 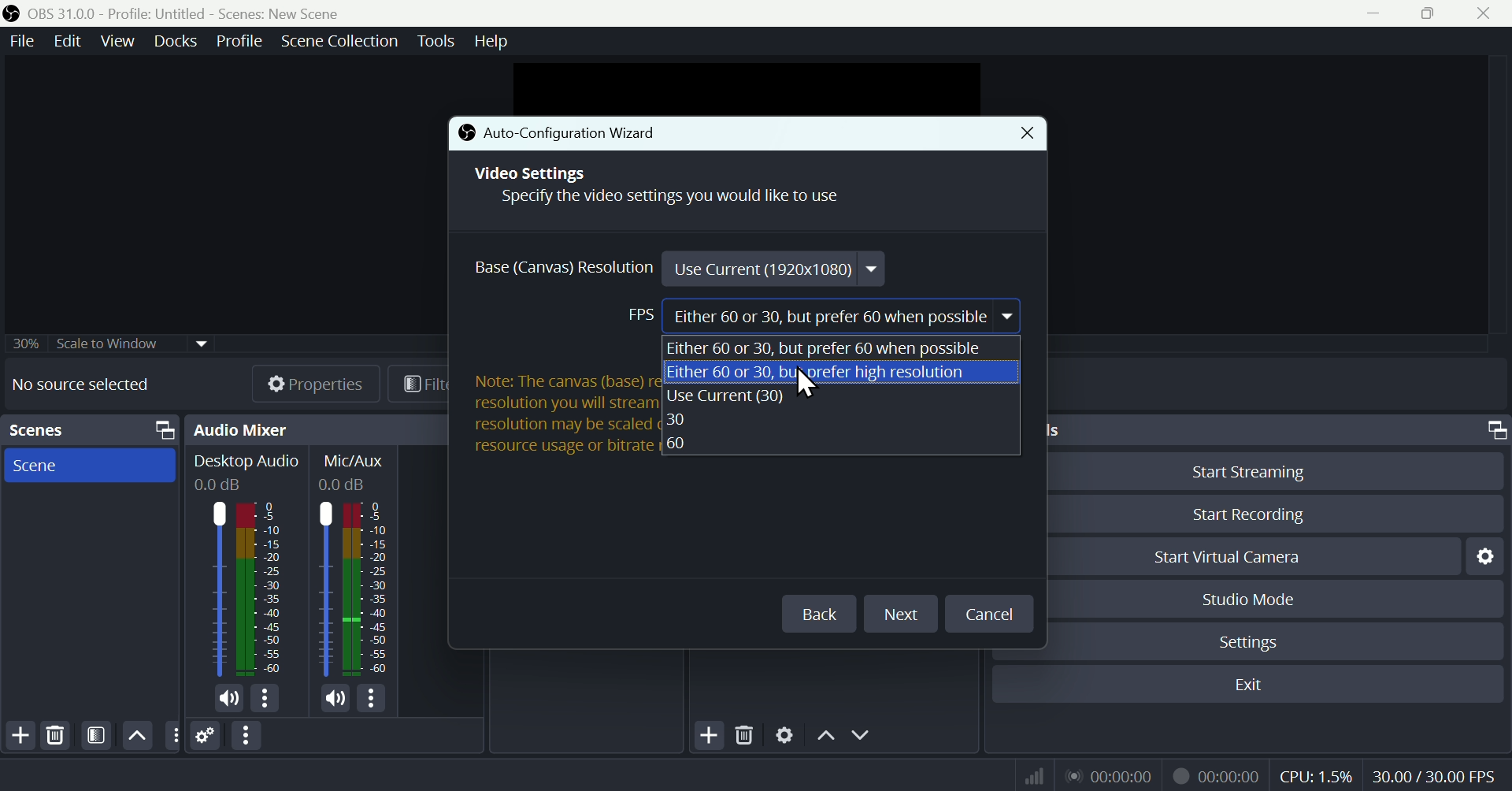 What do you see at coordinates (843, 316) in the screenshot?
I see `Either 60 or 30, but prefer 60 when possible` at bounding box center [843, 316].